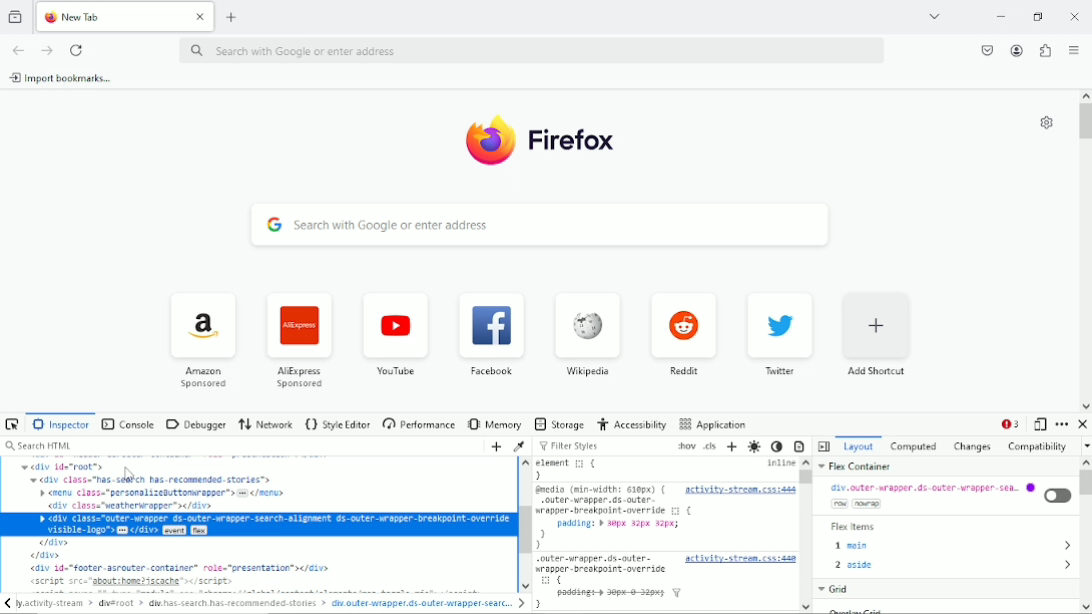 This screenshot has width=1092, height=614. Describe the element at coordinates (48, 48) in the screenshot. I see `Go forward` at that location.